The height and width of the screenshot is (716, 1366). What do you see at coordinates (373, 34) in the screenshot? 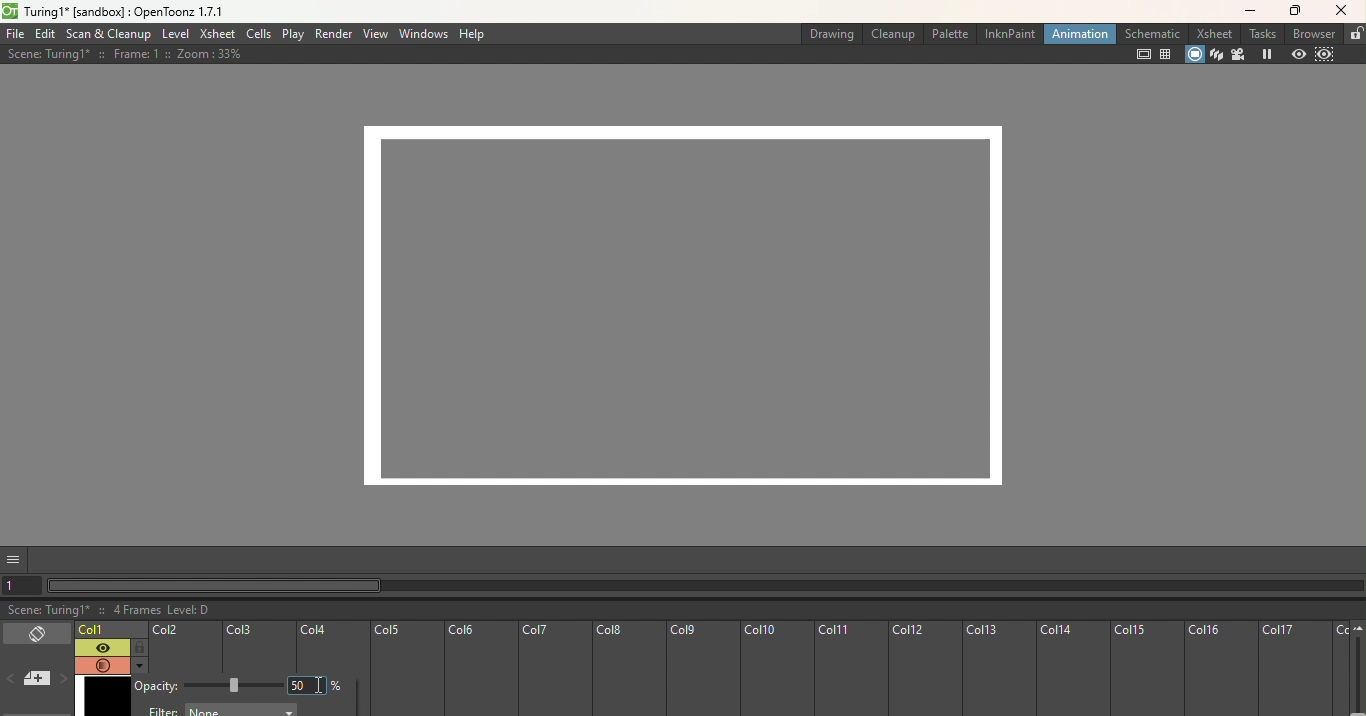
I see `View` at bounding box center [373, 34].